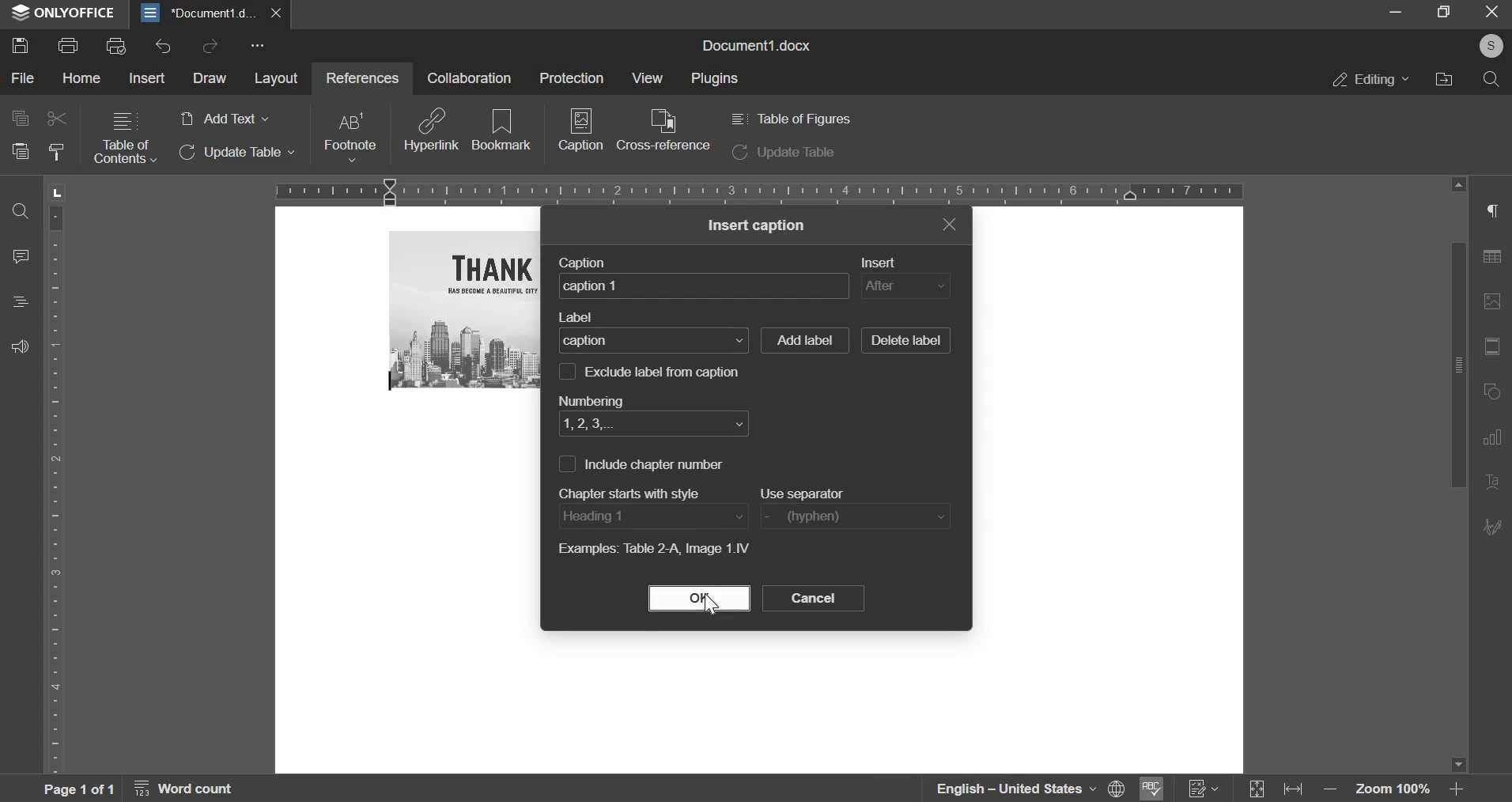  What do you see at coordinates (858, 516) in the screenshot?
I see `use separator` at bounding box center [858, 516].